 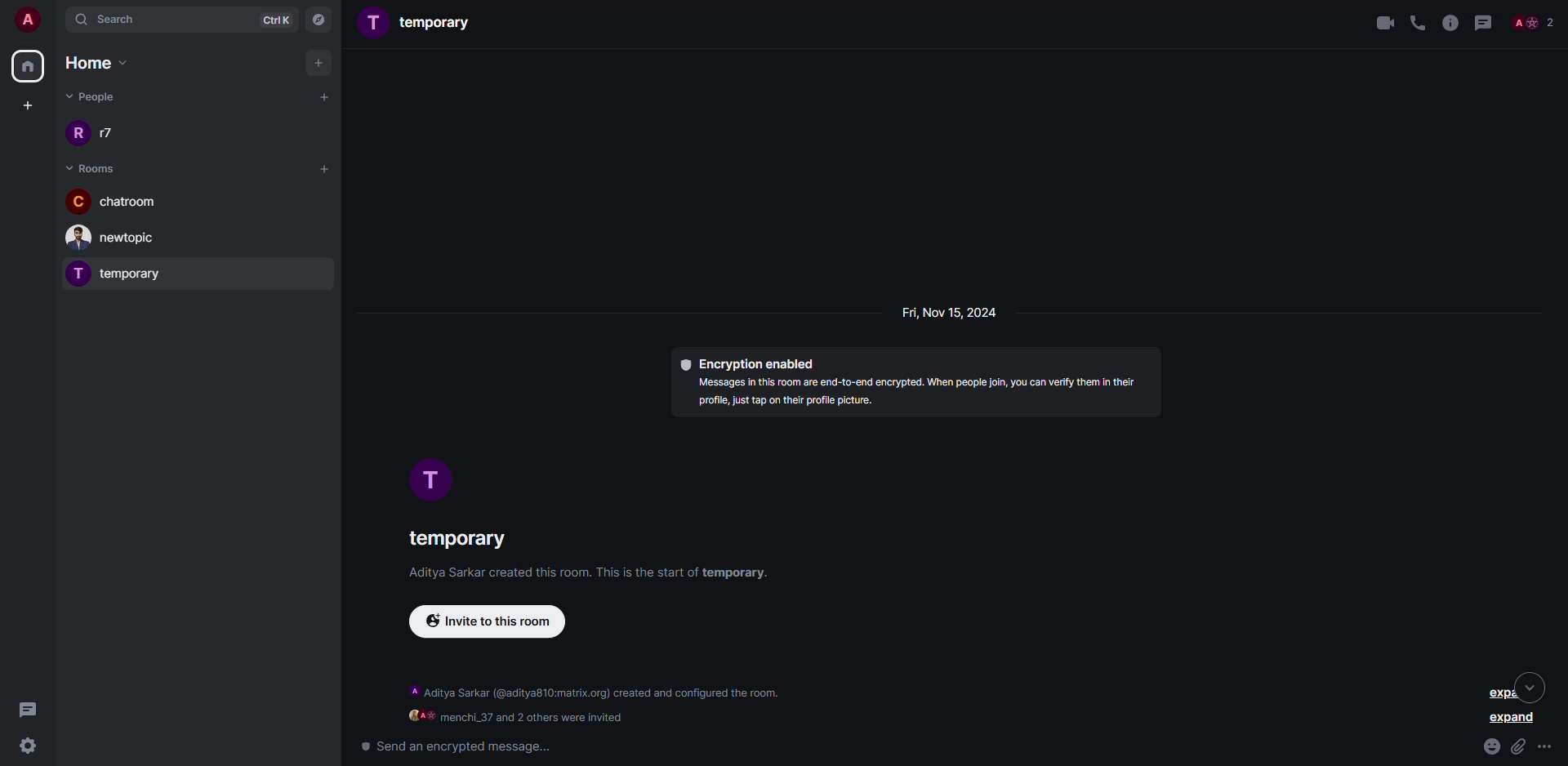 I want to click on day, so click(x=944, y=314).